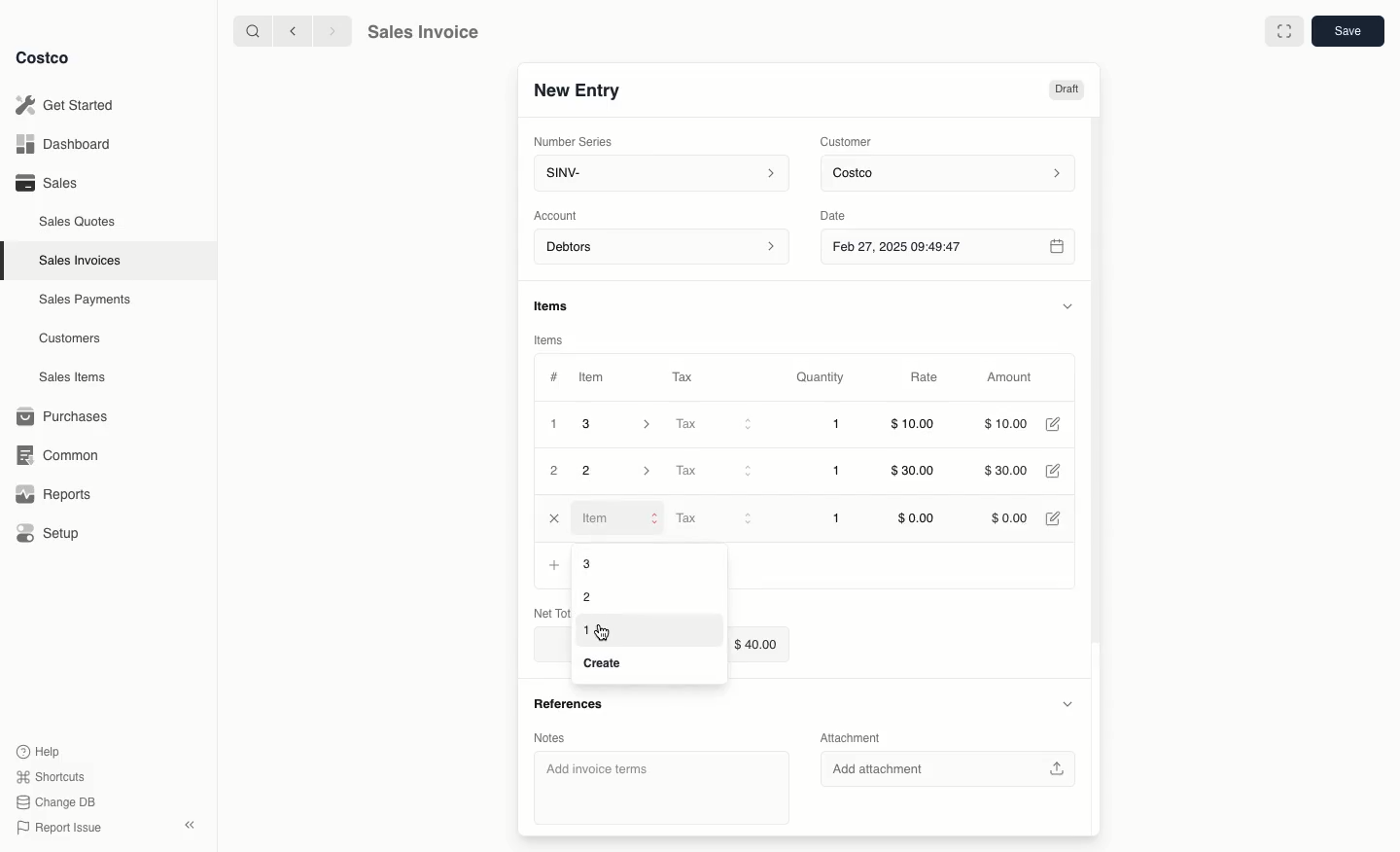 Image resolution: width=1400 pixels, height=852 pixels. Describe the element at coordinates (549, 611) in the screenshot. I see `Net Total` at that location.